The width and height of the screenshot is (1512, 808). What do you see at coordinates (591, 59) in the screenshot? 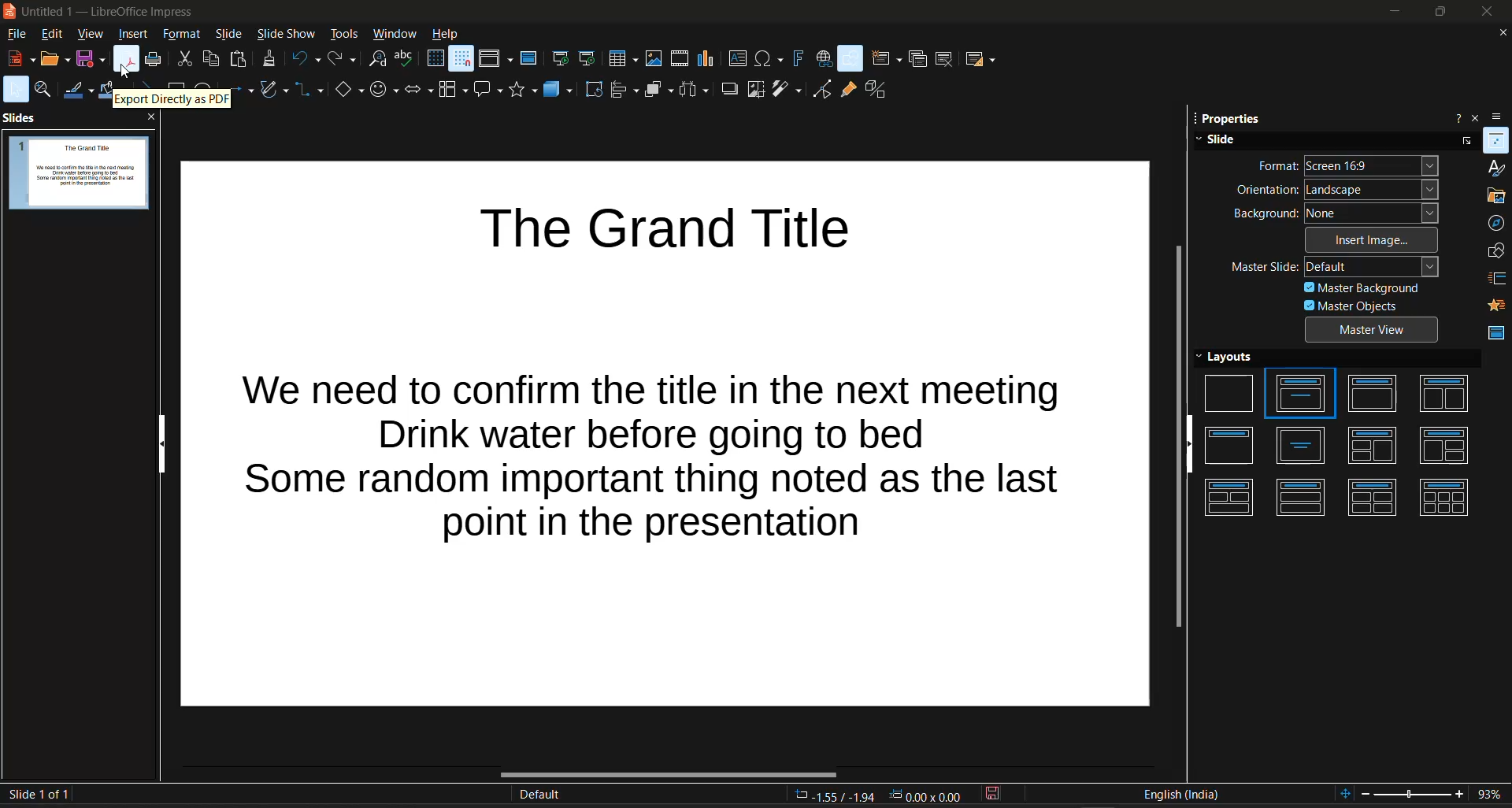
I see `start from current slide` at bounding box center [591, 59].